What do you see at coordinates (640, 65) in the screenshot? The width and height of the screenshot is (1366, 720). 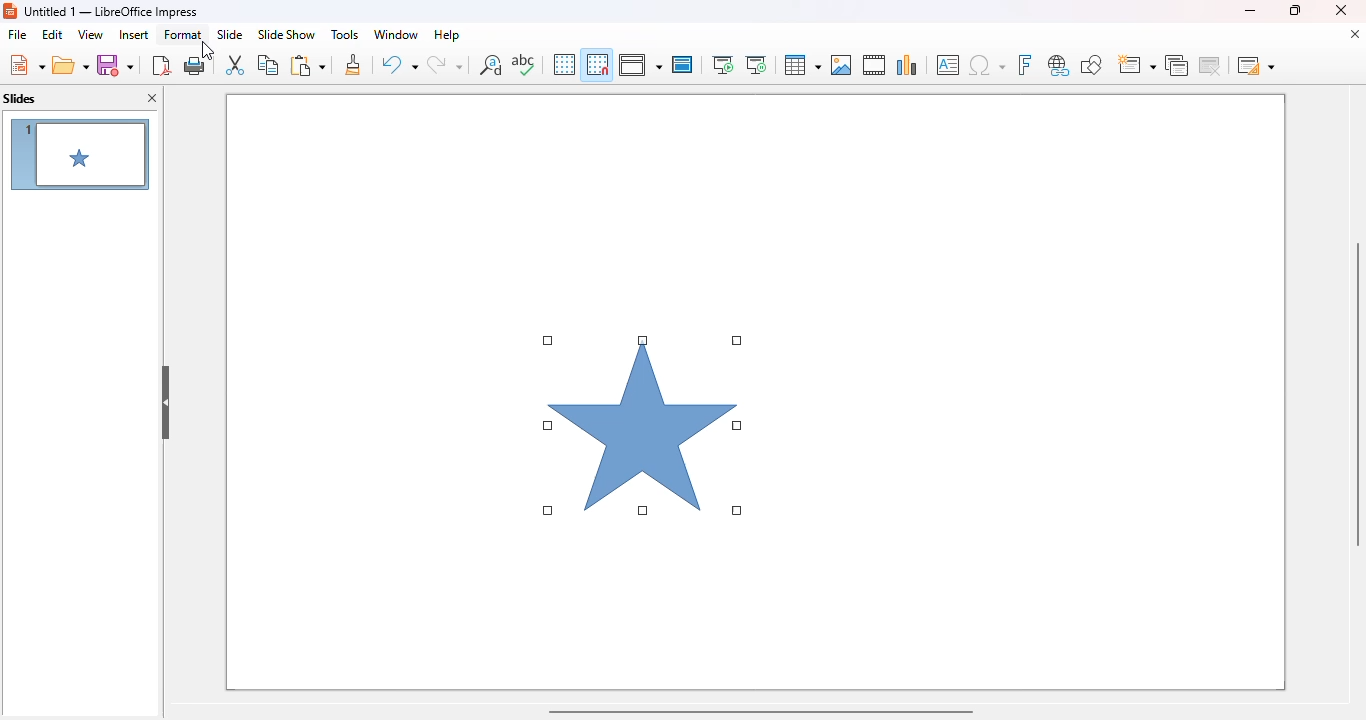 I see `display views` at bounding box center [640, 65].